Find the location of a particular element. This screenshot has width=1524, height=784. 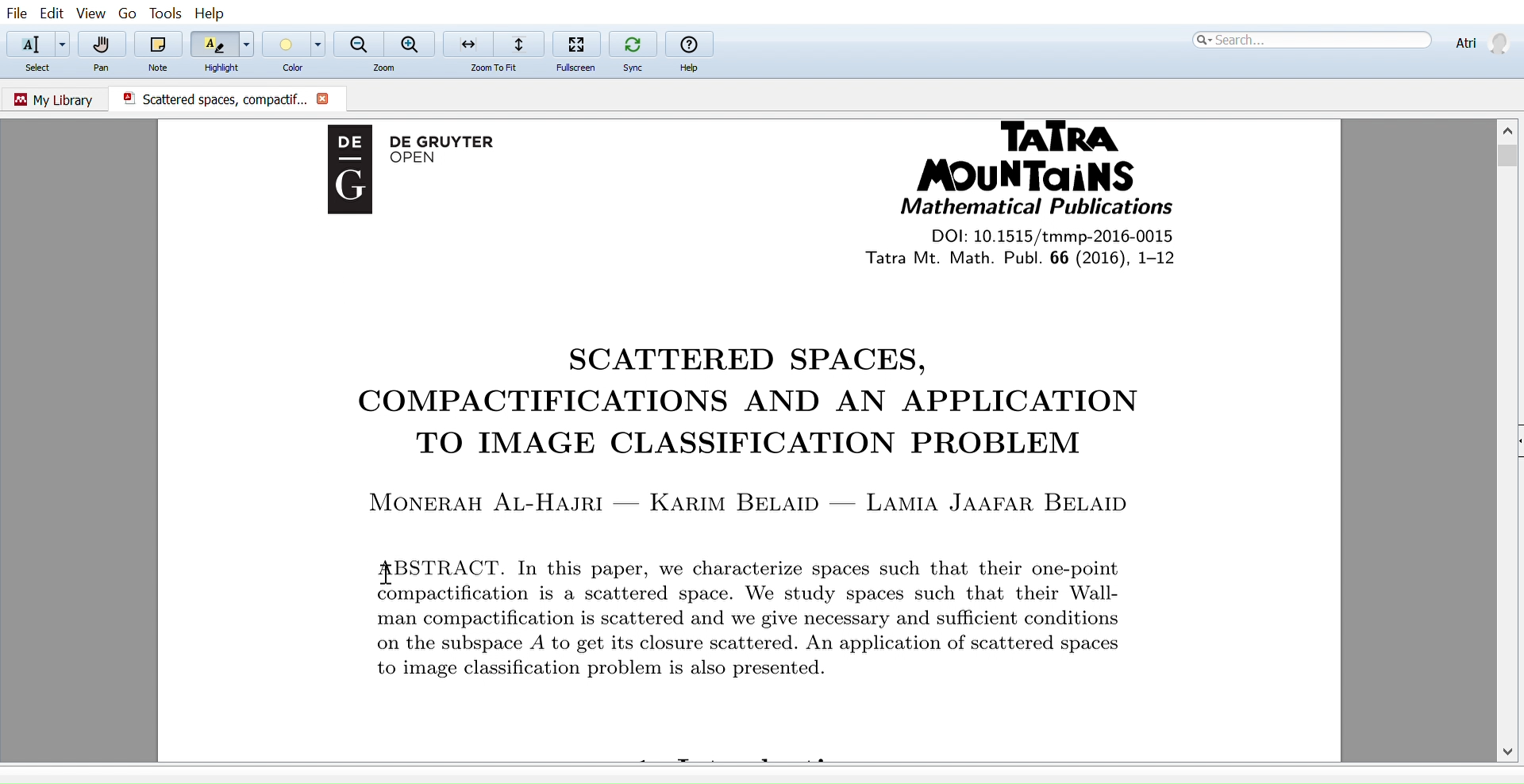

TO IMAGE CLASSIFICATION PROBLEM is located at coordinates (760, 445).